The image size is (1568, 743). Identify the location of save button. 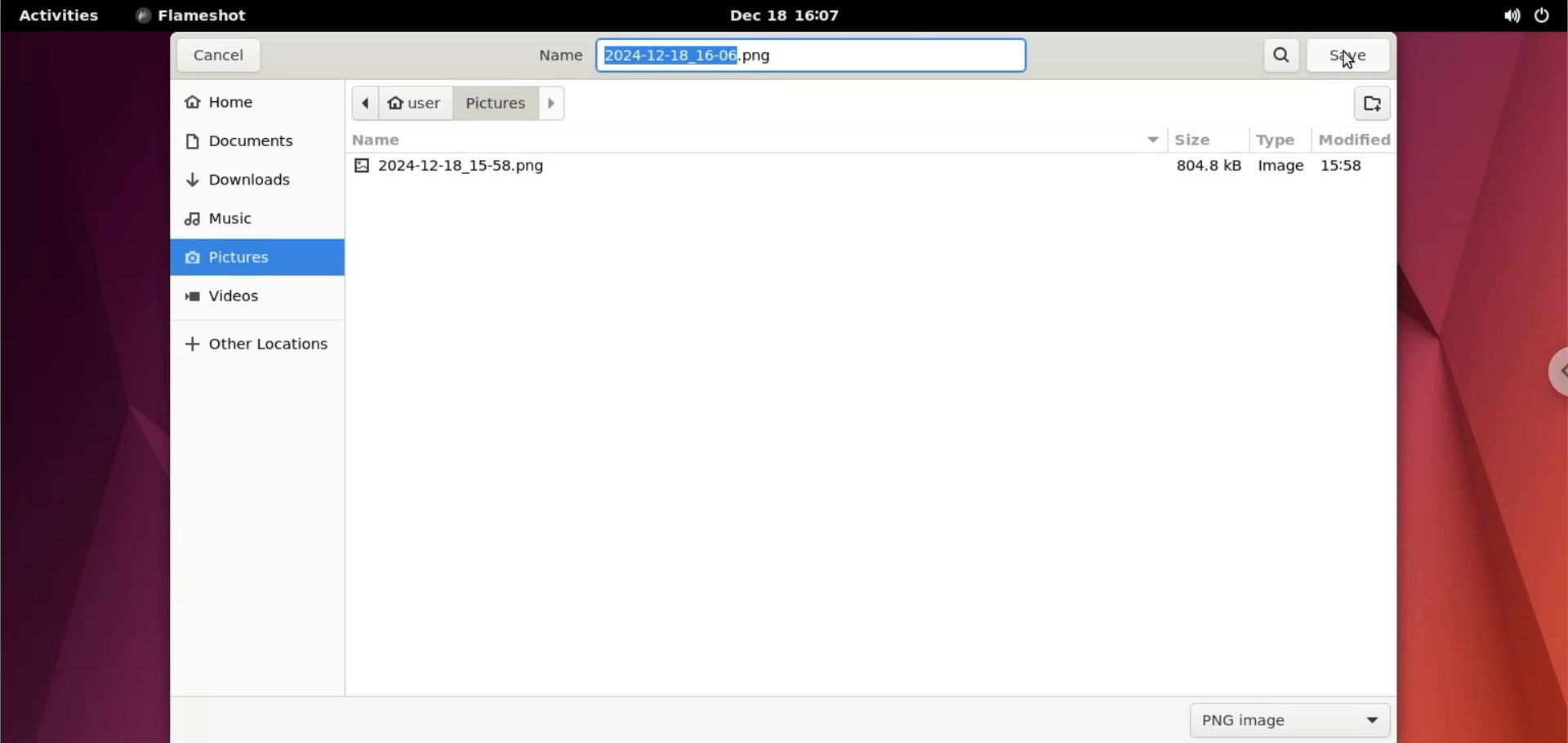
(1345, 56).